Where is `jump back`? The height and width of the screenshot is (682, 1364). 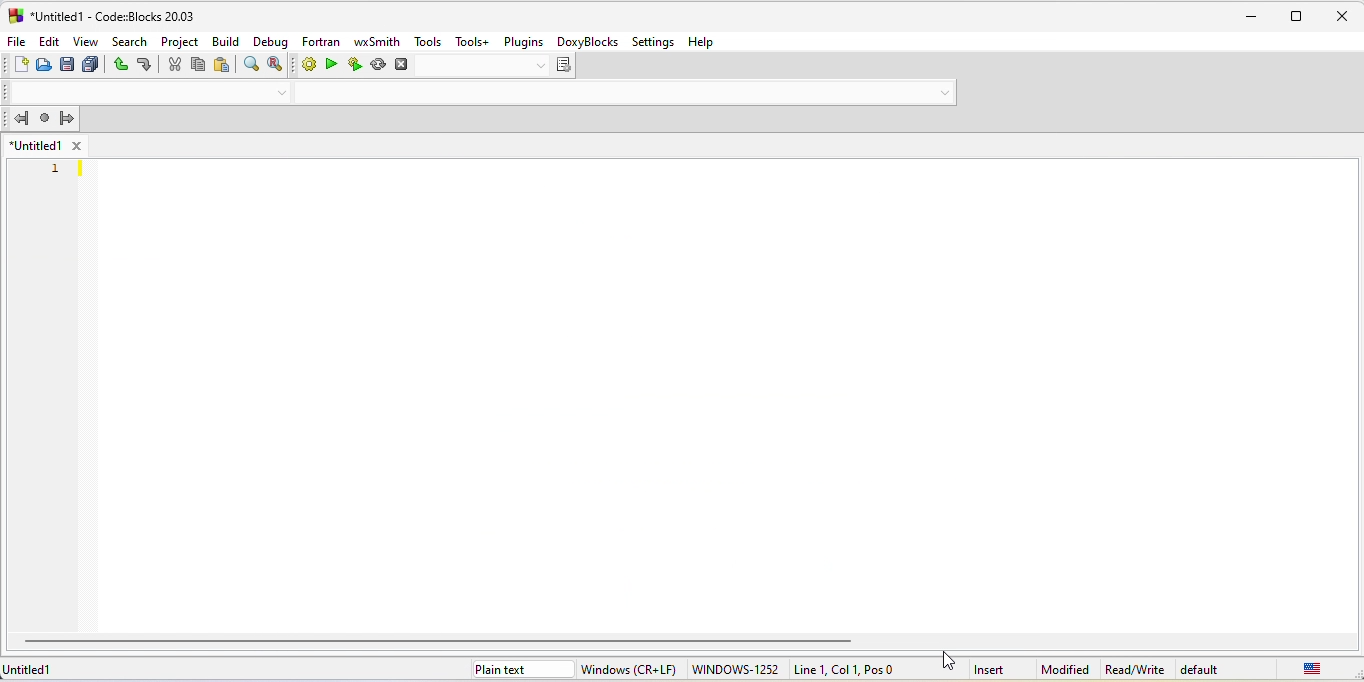 jump back is located at coordinates (20, 118).